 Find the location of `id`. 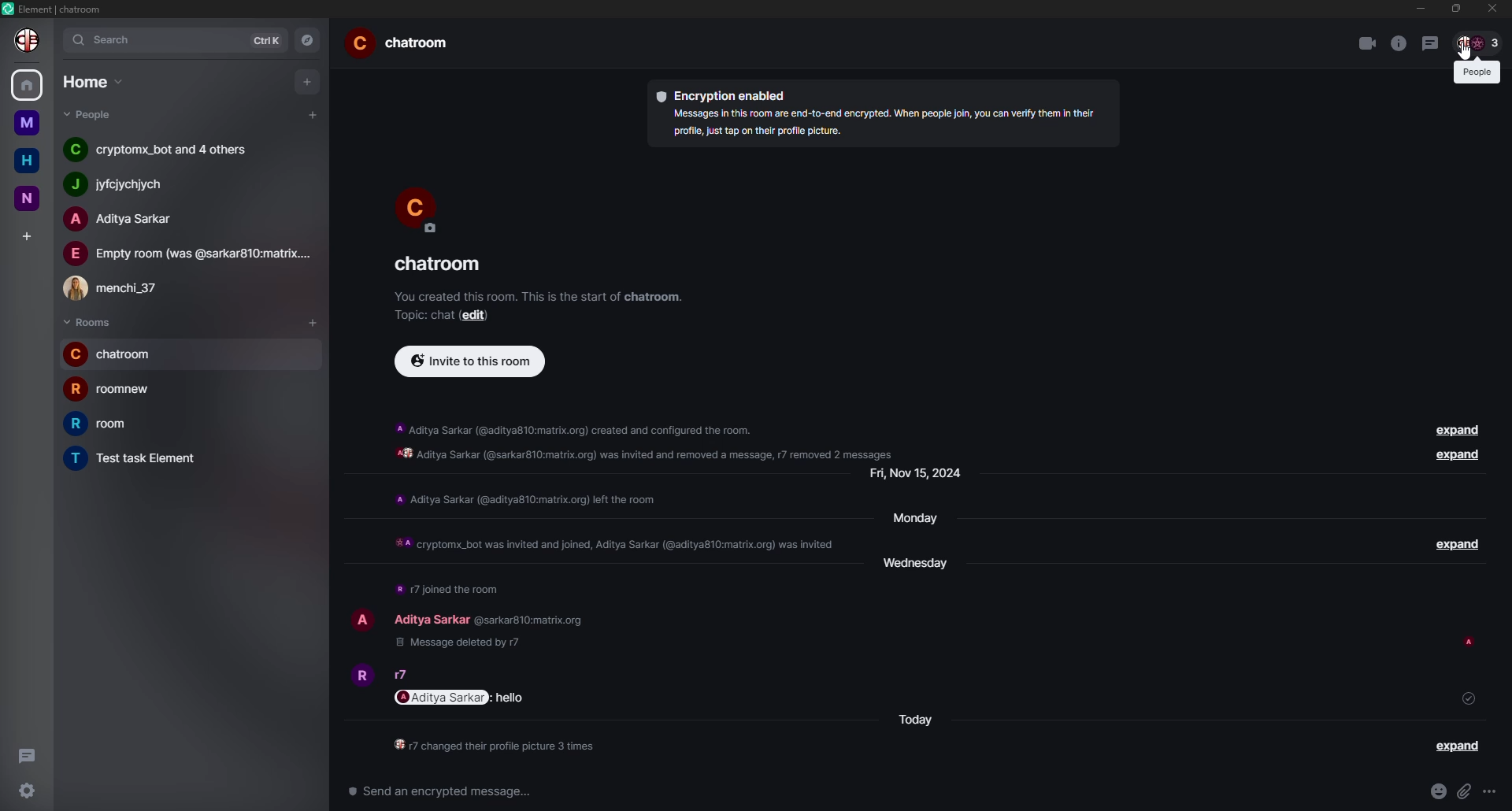

id is located at coordinates (527, 621).